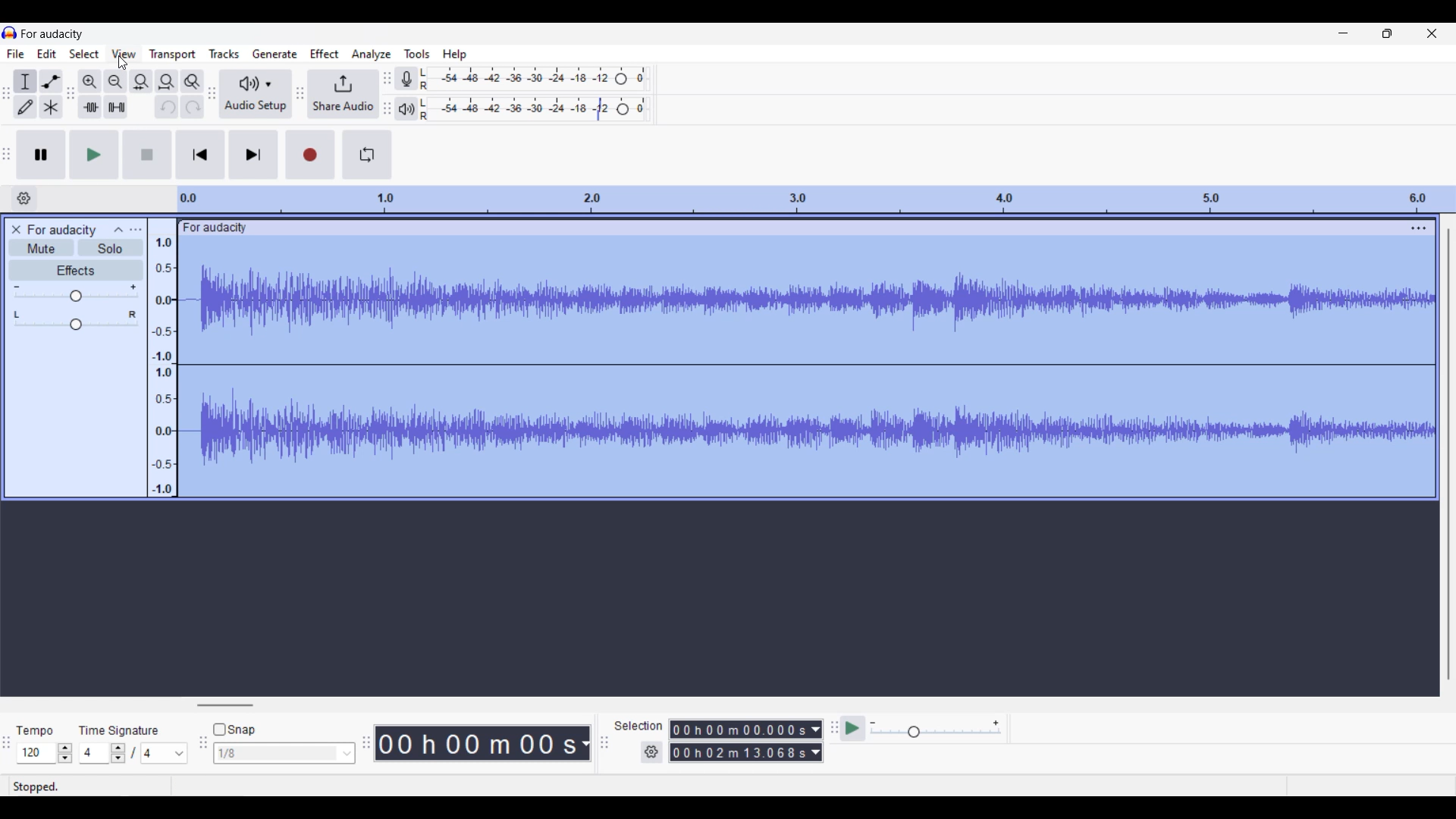  I want to click on Play at speed/Play at speed once, so click(852, 729).